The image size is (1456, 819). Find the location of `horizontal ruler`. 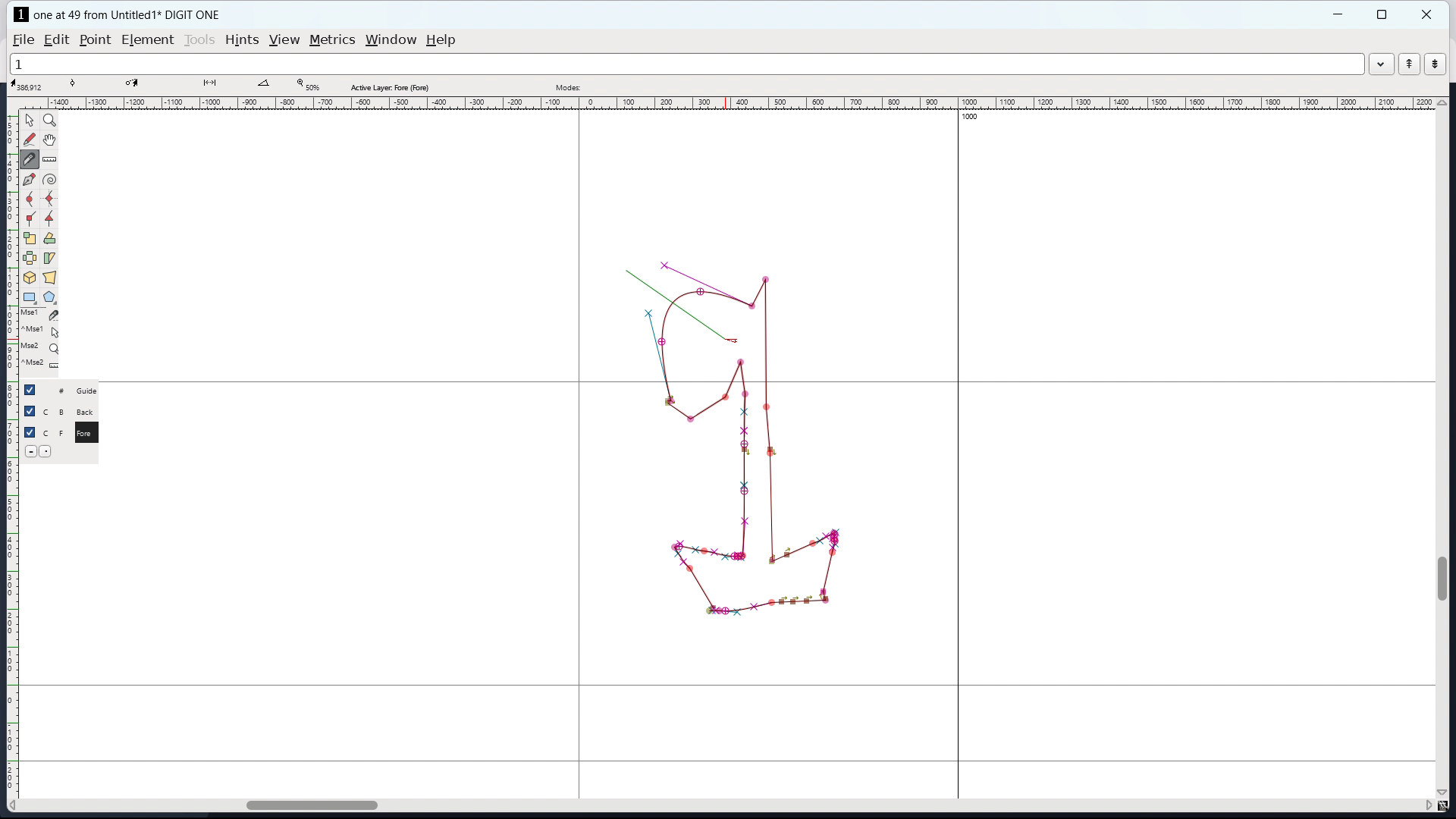

horizontal ruler is located at coordinates (736, 104).